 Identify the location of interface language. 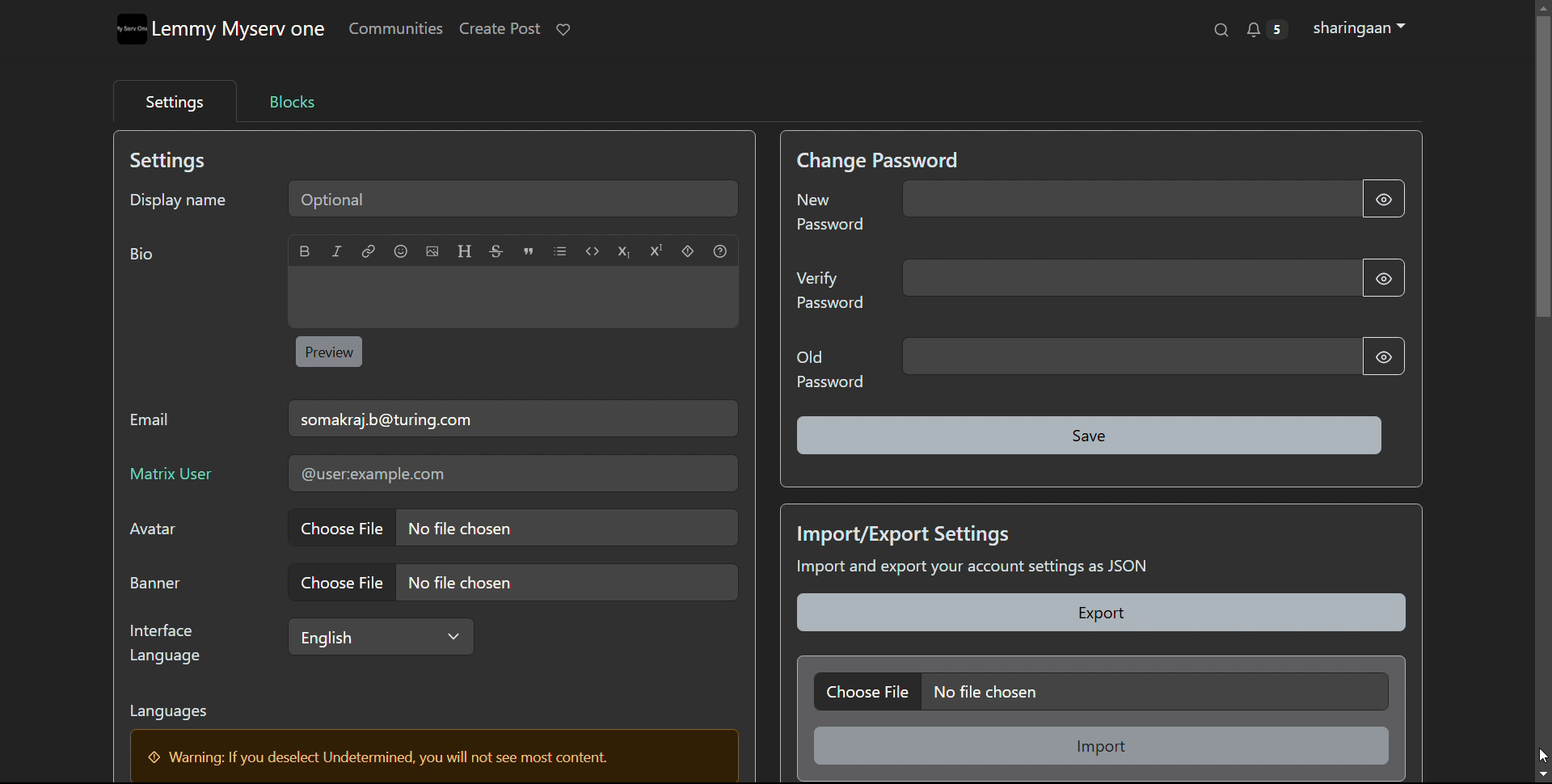
(380, 636).